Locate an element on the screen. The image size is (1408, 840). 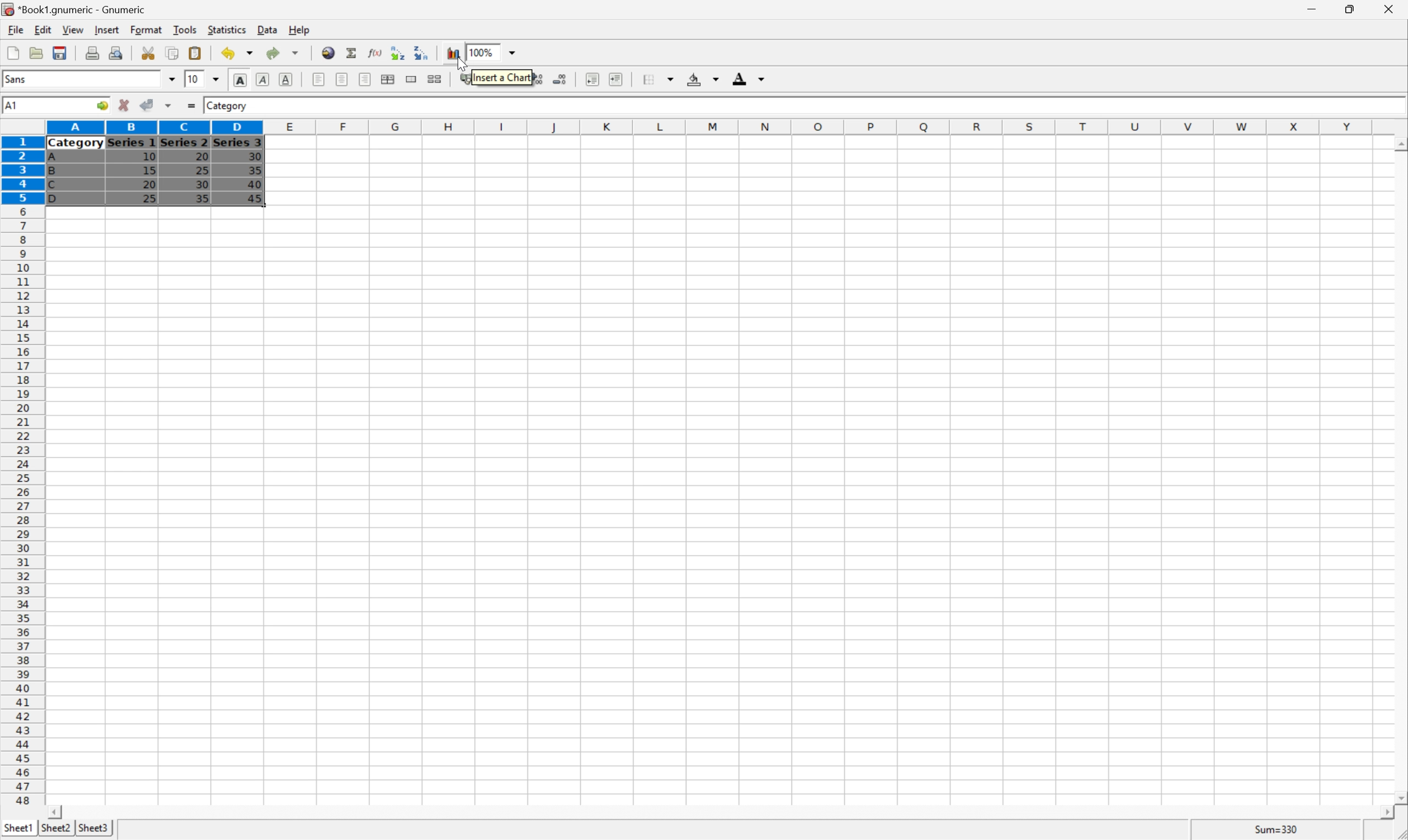
Insert a chart is located at coordinates (452, 53).